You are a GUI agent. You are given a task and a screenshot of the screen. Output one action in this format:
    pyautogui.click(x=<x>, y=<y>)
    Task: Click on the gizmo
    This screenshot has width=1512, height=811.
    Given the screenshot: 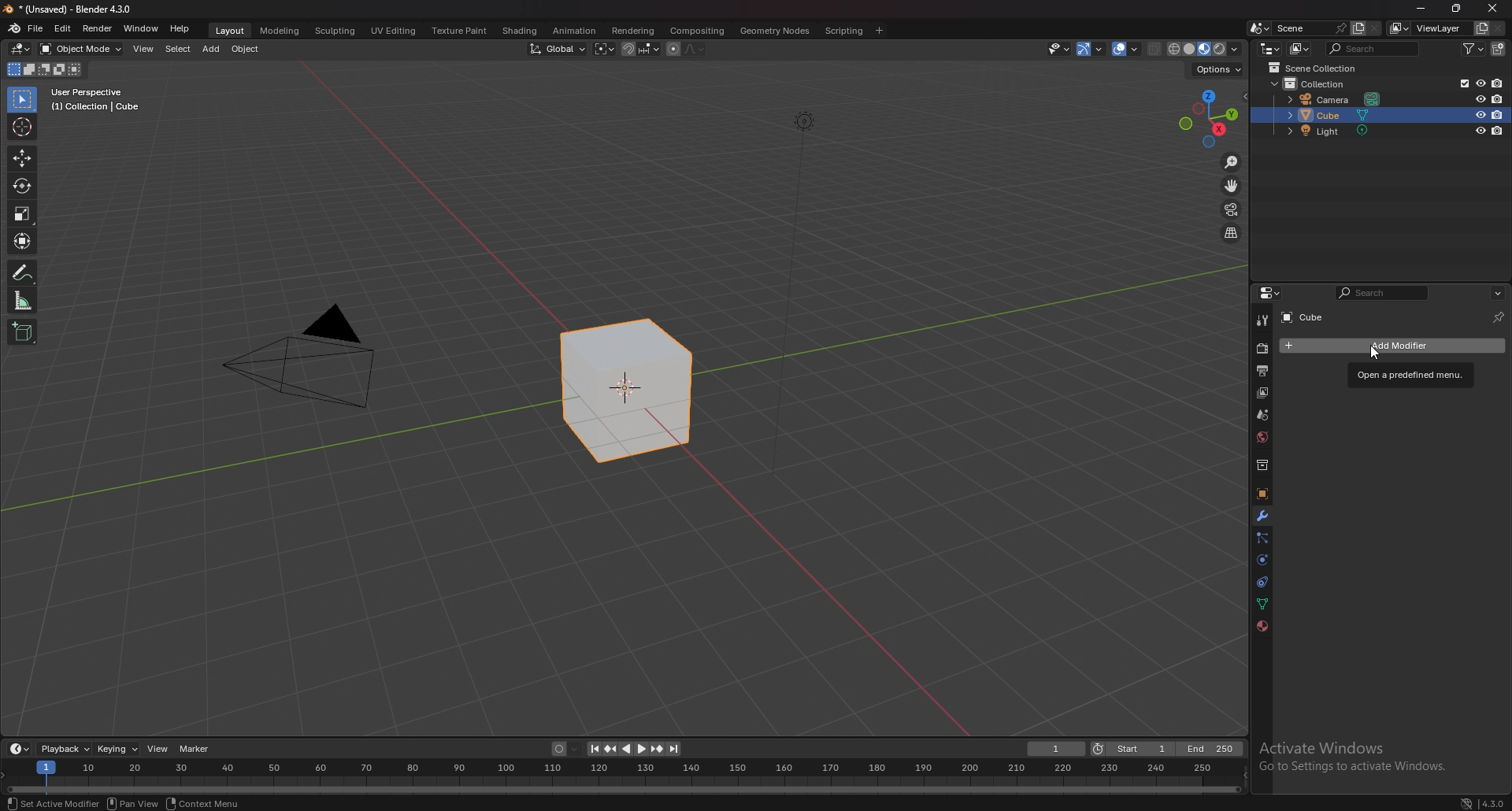 What is the action you would take?
    pyautogui.click(x=1092, y=49)
    